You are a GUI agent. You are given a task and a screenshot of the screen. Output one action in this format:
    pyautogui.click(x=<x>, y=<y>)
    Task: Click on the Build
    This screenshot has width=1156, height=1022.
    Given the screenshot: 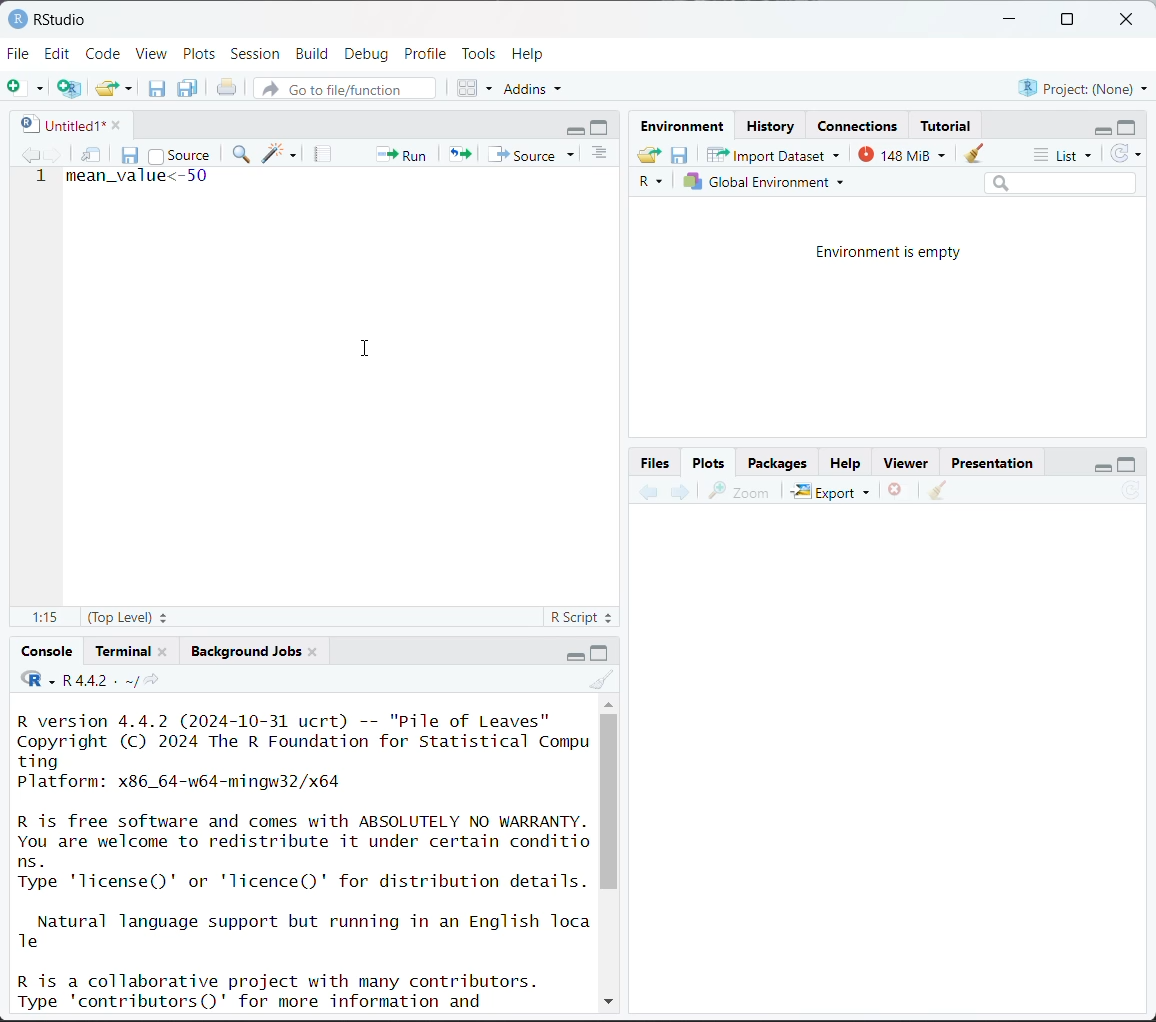 What is the action you would take?
    pyautogui.click(x=315, y=54)
    